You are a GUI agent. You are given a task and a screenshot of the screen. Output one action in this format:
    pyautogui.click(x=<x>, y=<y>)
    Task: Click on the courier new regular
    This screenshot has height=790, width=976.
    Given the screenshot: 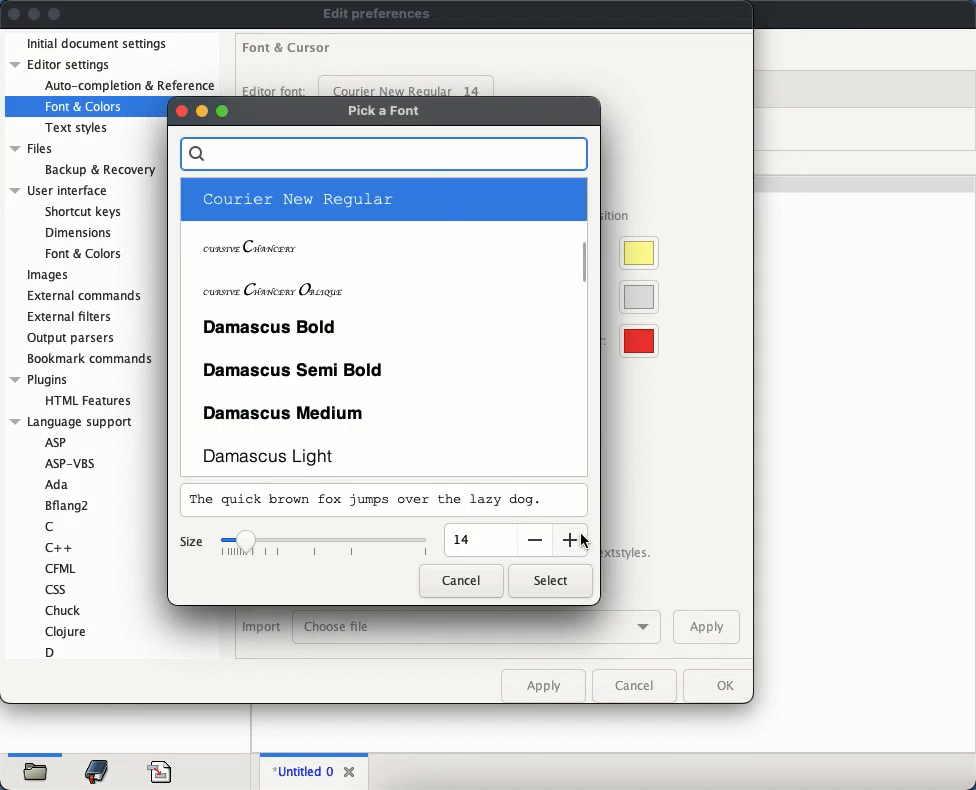 What is the action you would take?
    pyautogui.click(x=407, y=85)
    